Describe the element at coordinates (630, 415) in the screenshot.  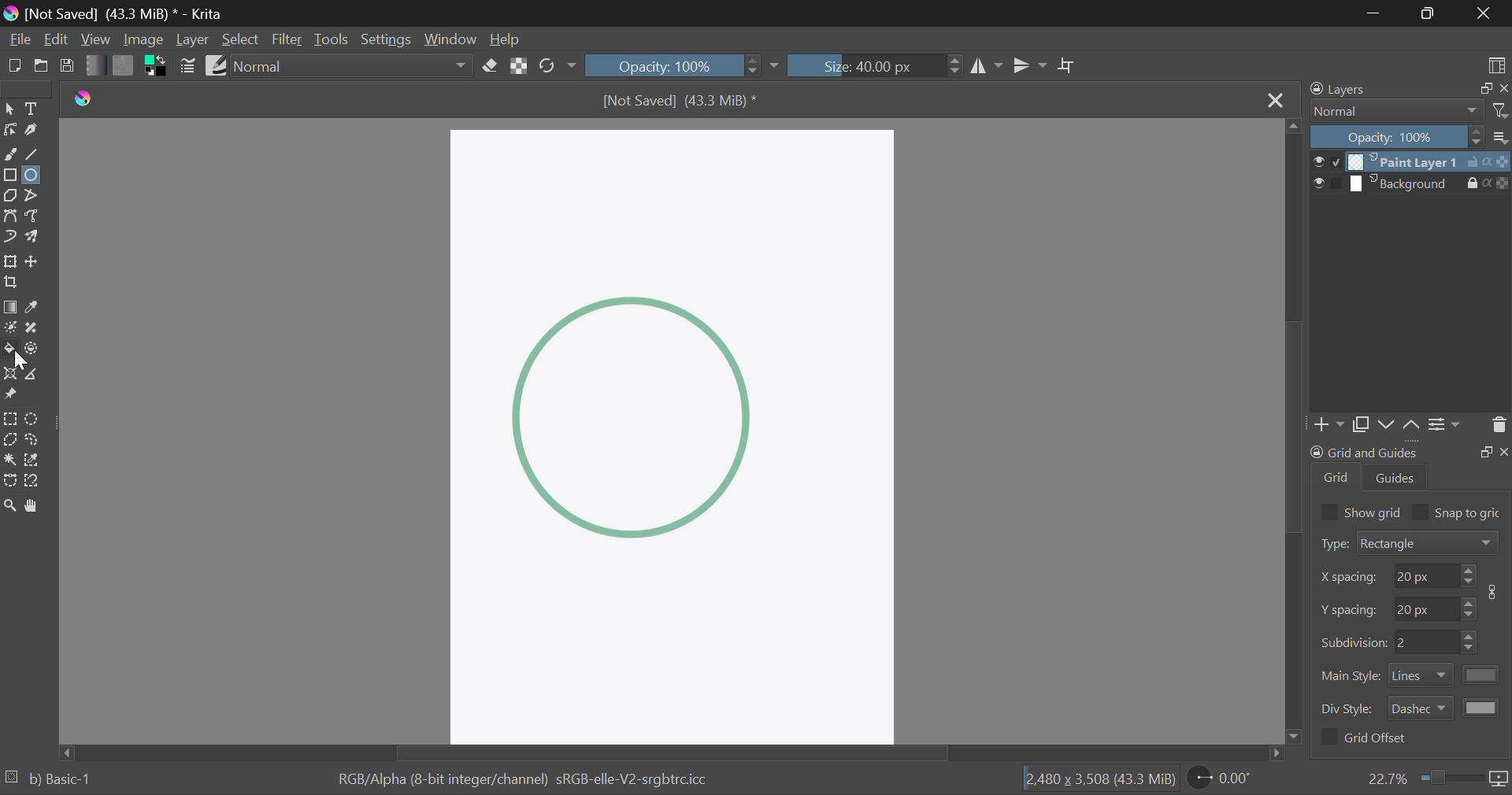
I see `Shape Generated` at that location.